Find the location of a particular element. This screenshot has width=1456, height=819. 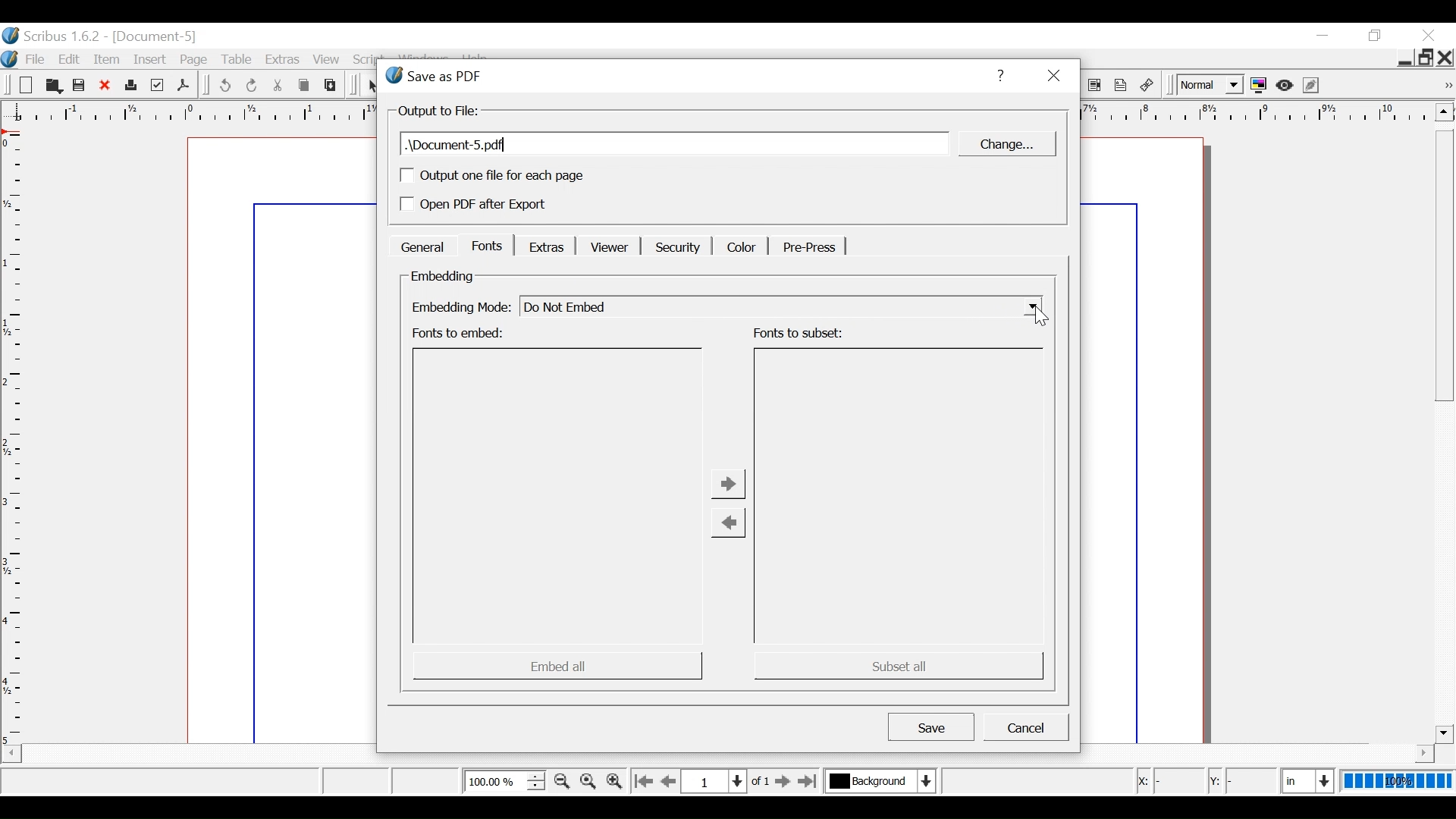

Vertical Scroll bar is located at coordinates (1444, 436).